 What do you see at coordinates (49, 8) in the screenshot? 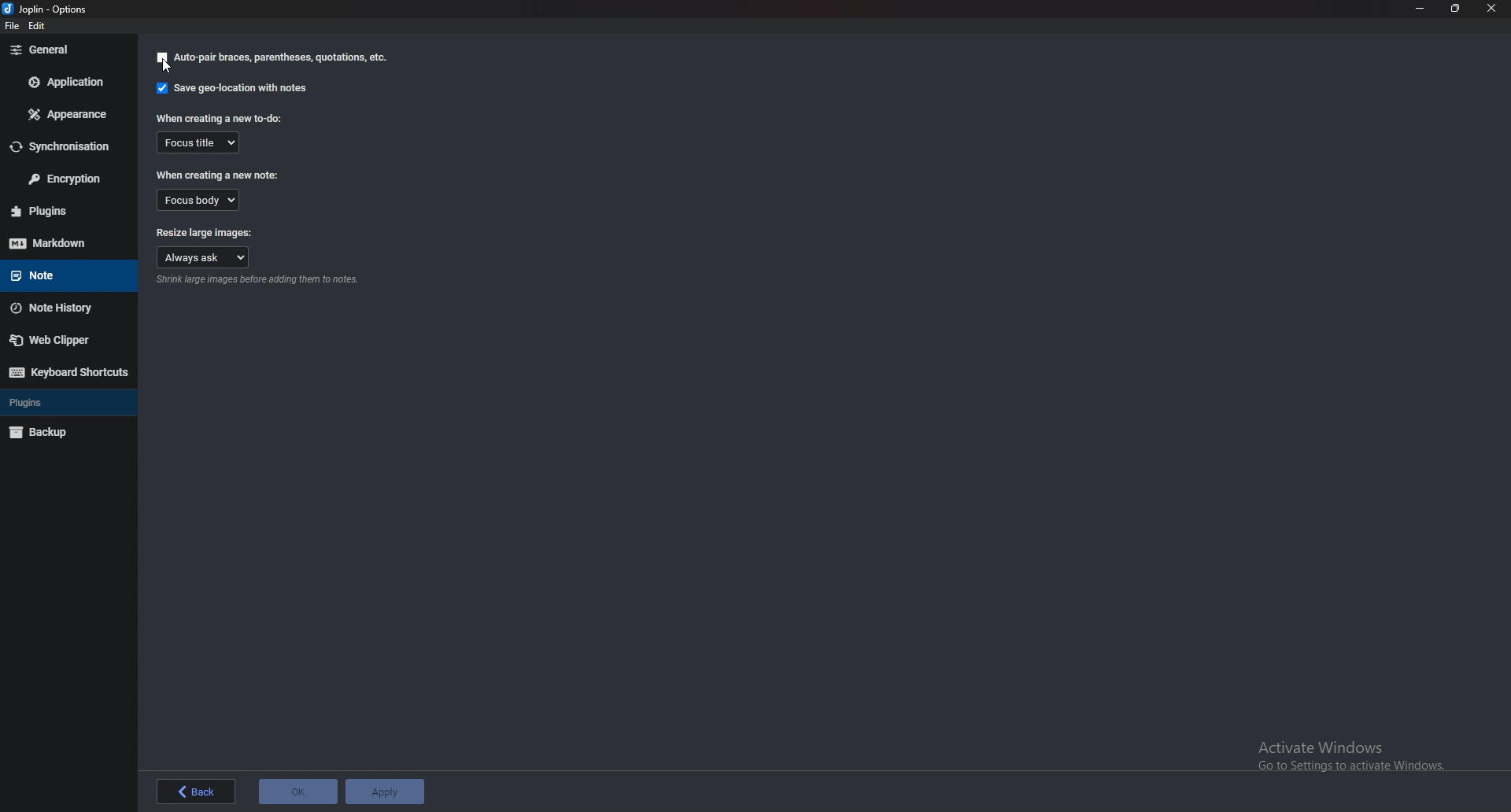
I see `options` at bounding box center [49, 8].